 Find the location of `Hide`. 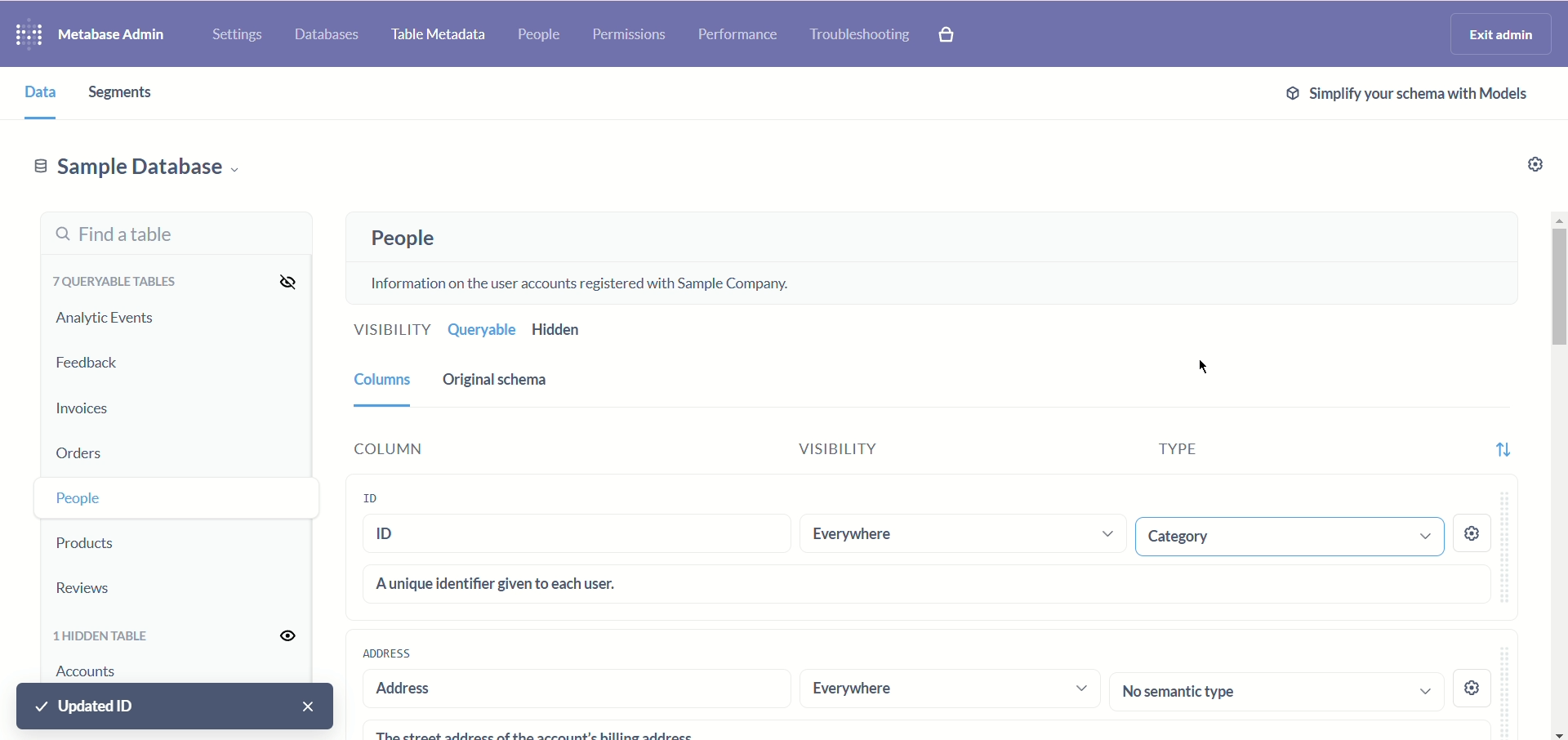

Hide is located at coordinates (282, 280).